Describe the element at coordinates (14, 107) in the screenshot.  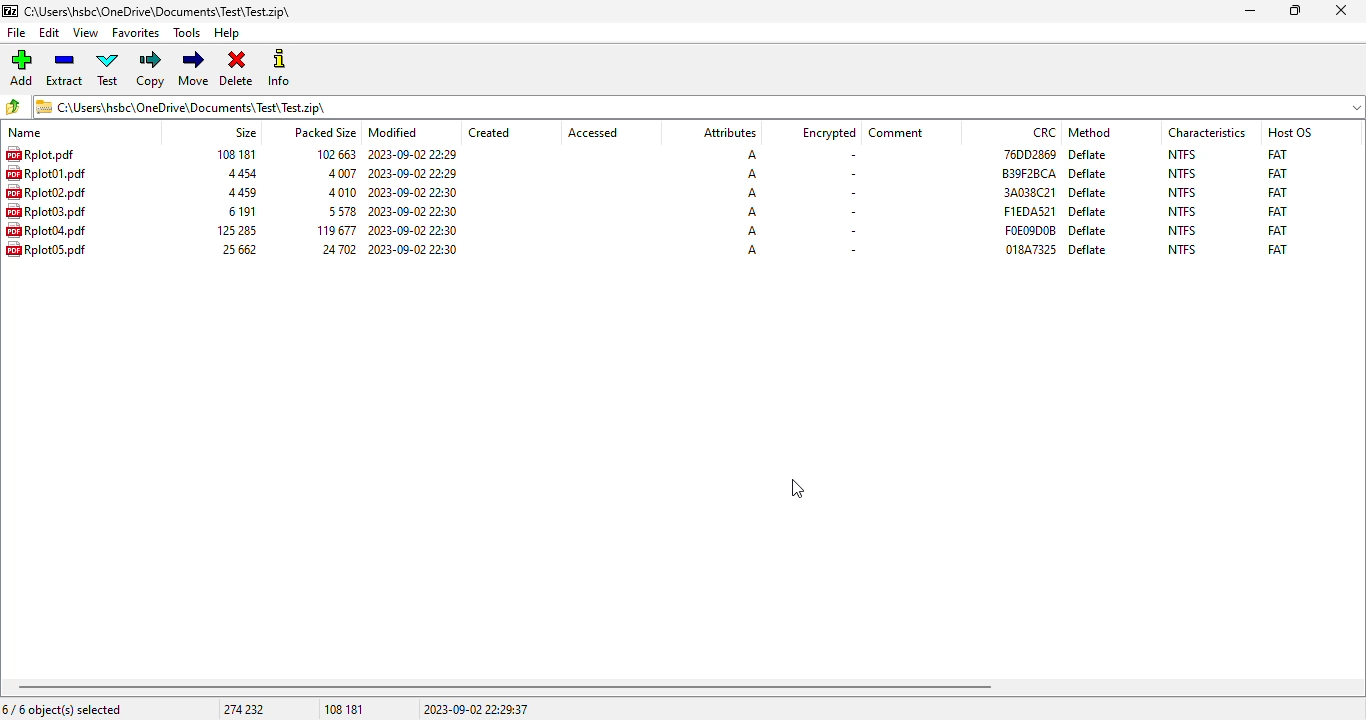
I see `browse folders` at that location.